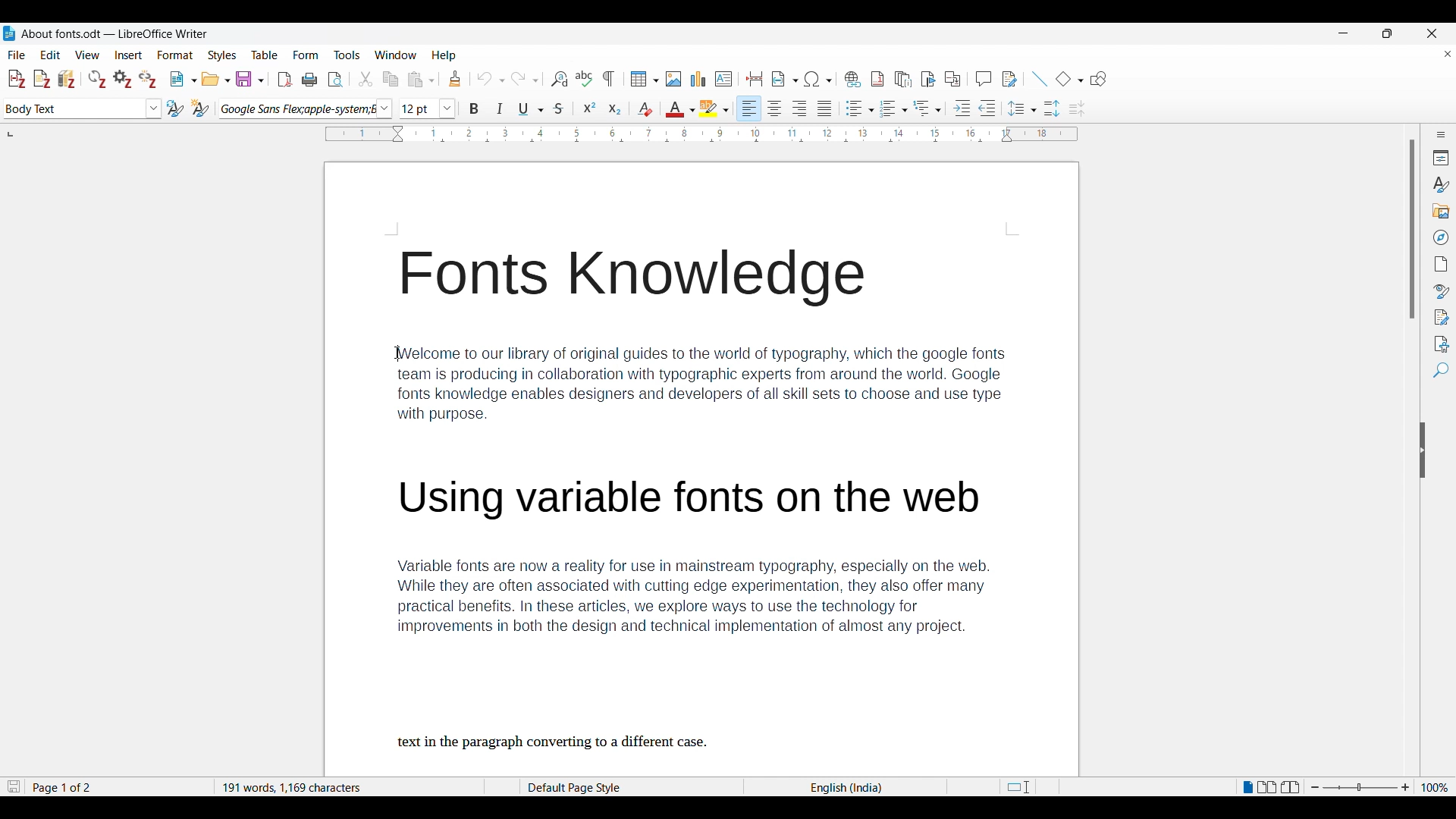  Describe the element at coordinates (1099, 78) in the screenshot. I see `Show draw functions` at that location.